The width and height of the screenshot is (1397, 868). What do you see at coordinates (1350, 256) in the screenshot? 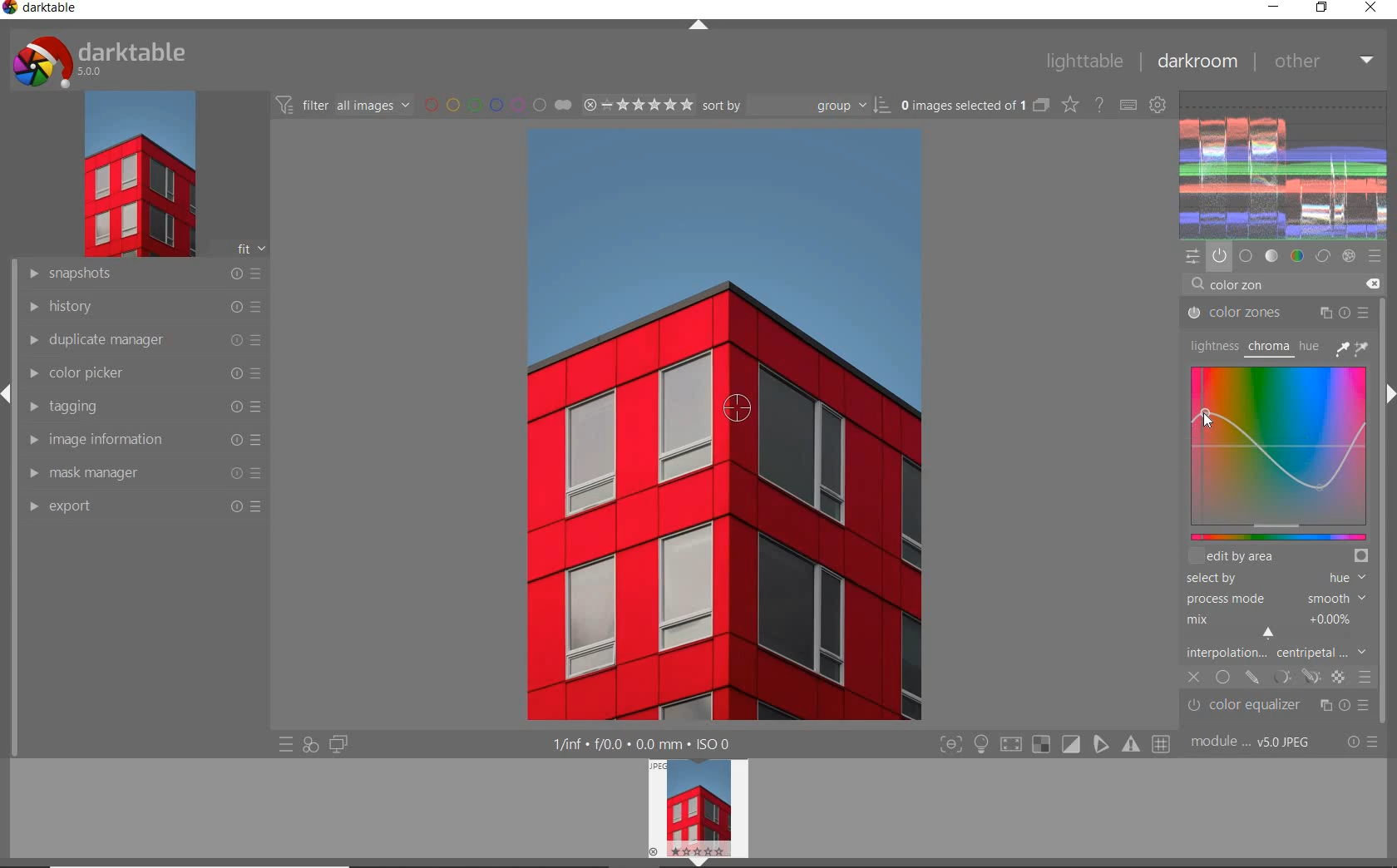
I see `effect` at bounding box center [1350, 256].